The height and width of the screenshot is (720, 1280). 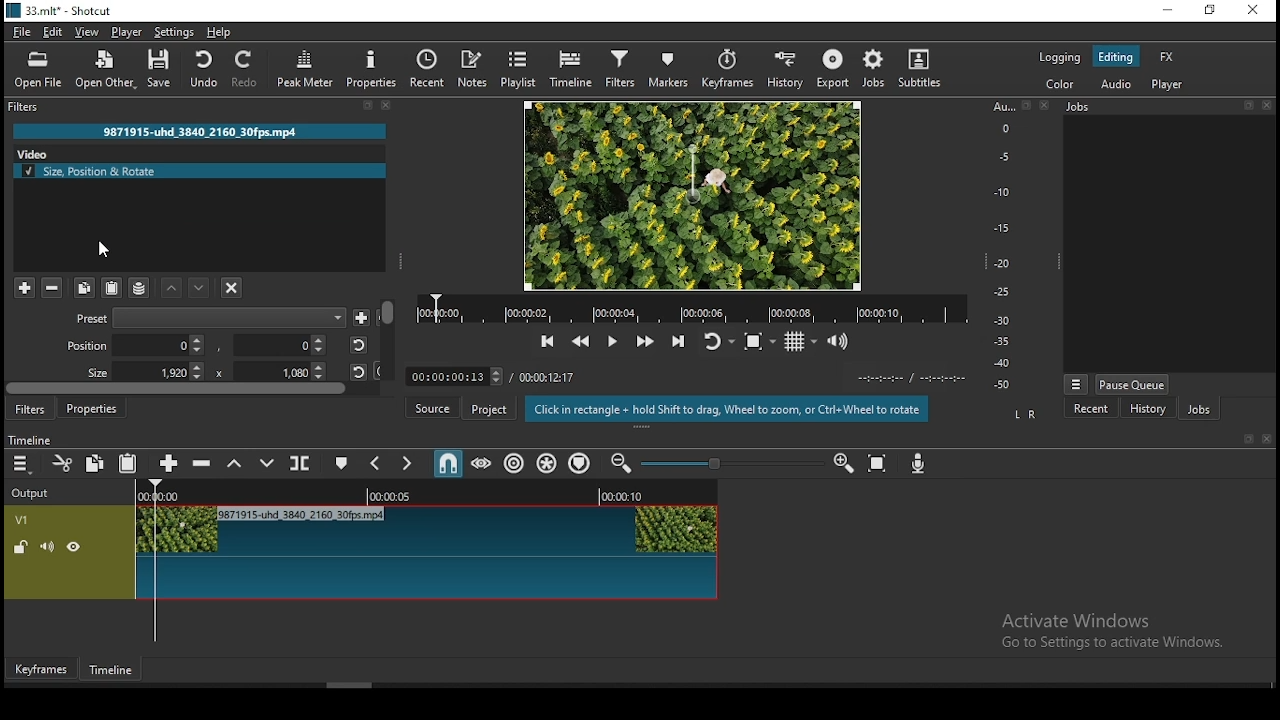 I want to click on close, so click(x=387, y=105).